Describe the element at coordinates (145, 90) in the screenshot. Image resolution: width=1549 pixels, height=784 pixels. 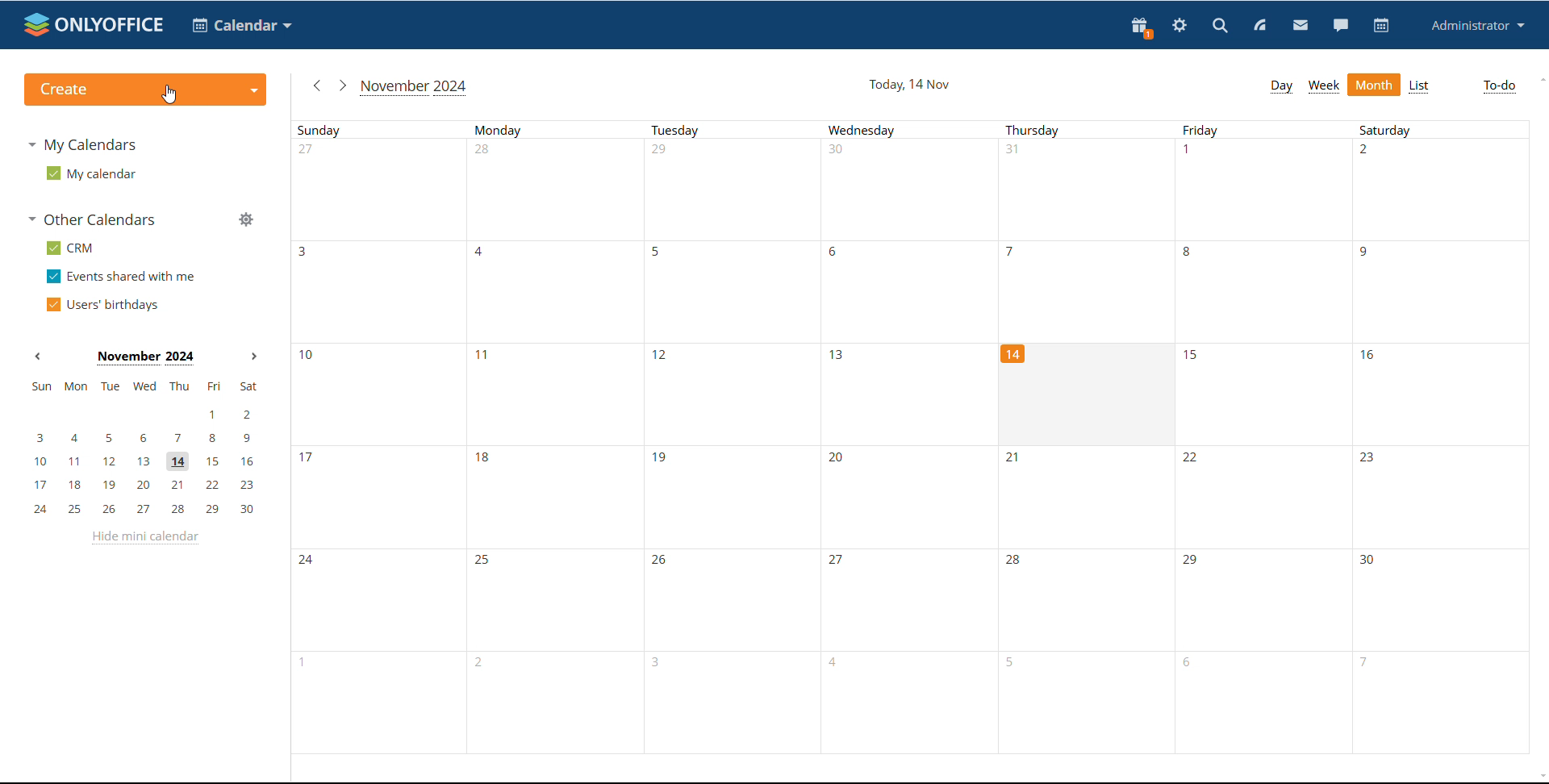
I see `create` at that location.